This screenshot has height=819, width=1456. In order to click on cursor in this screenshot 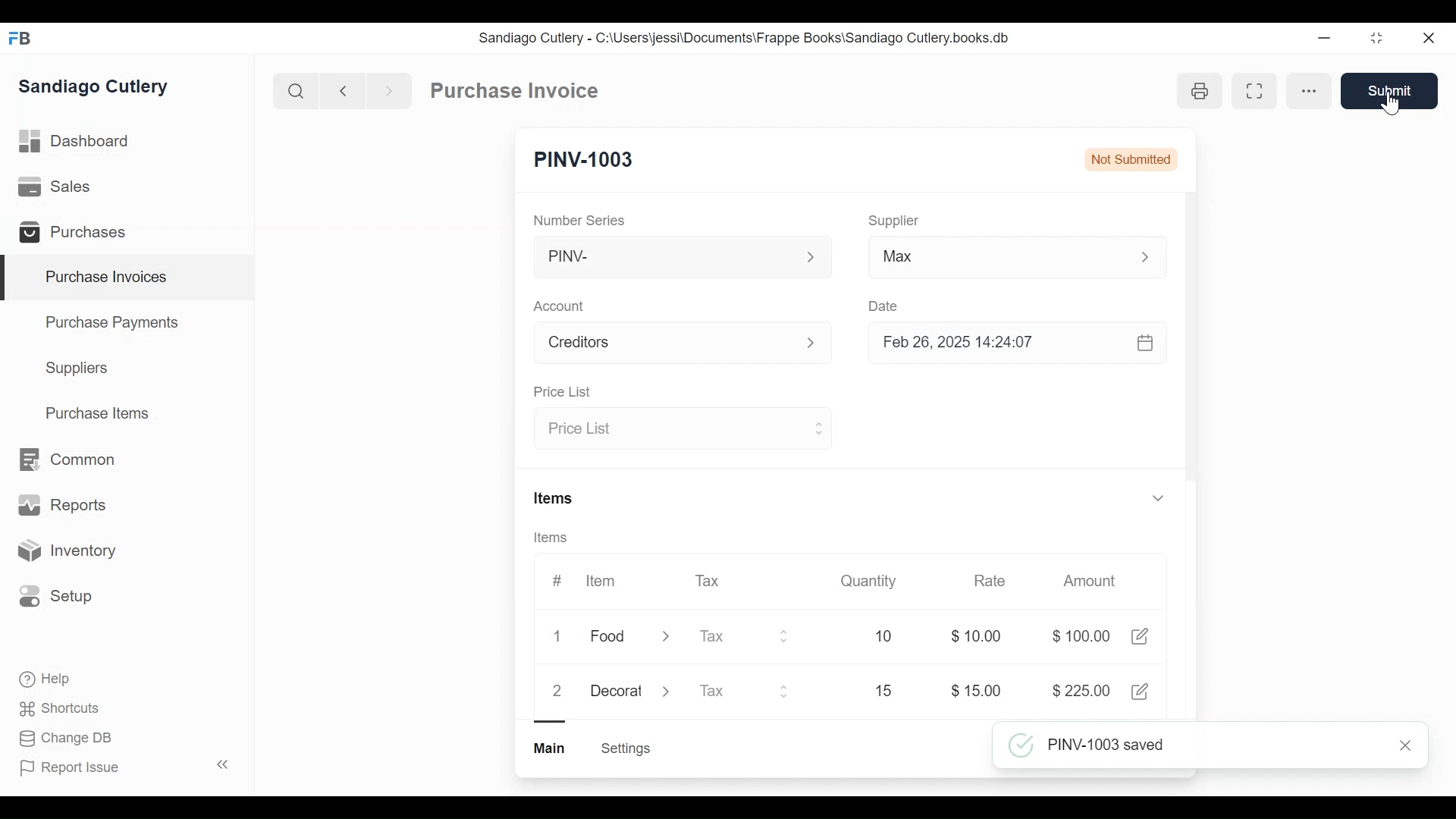, I will do `click(1392, 101)`.